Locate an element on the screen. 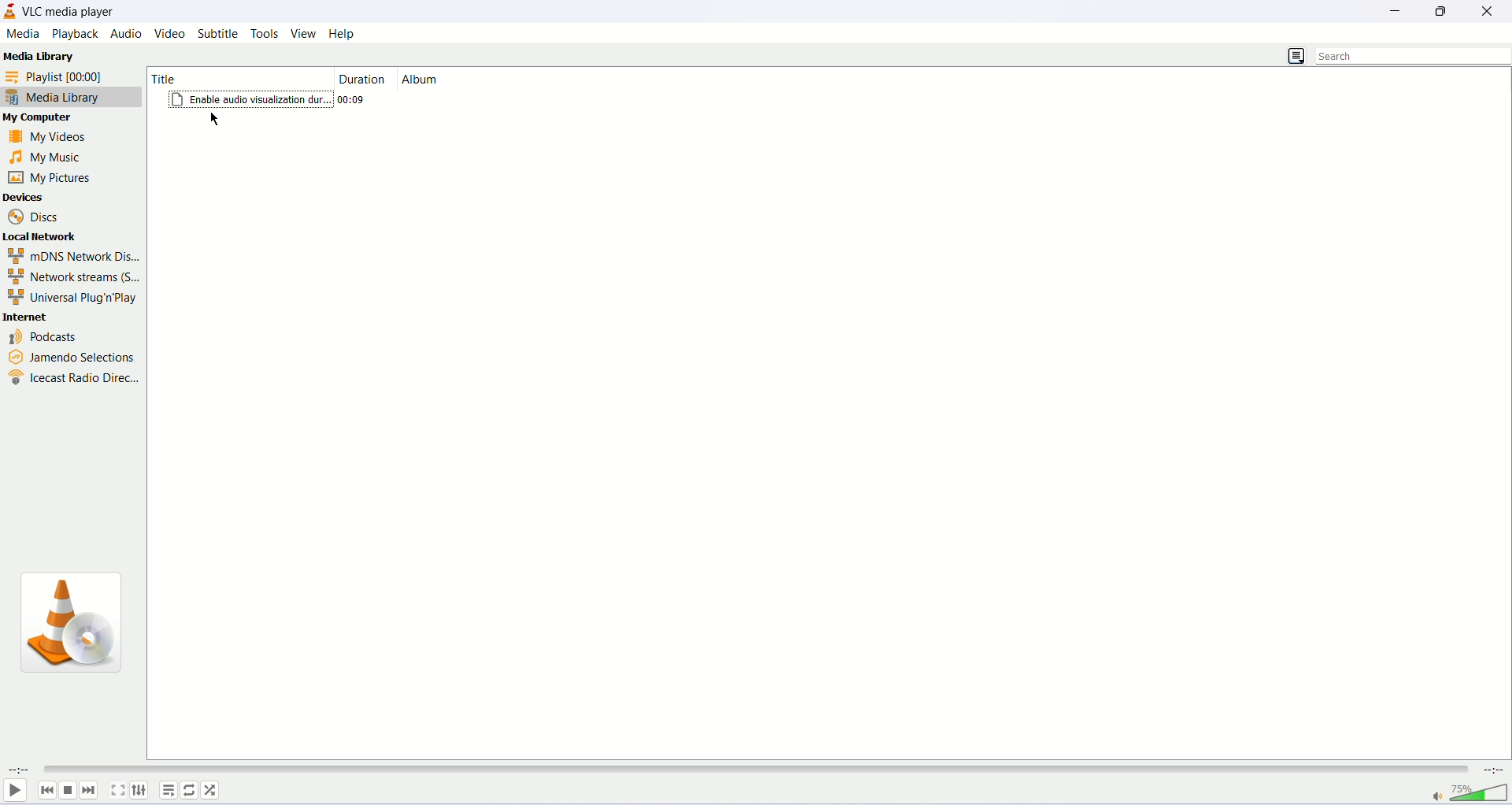  duration is located at coordinates (363, 78).